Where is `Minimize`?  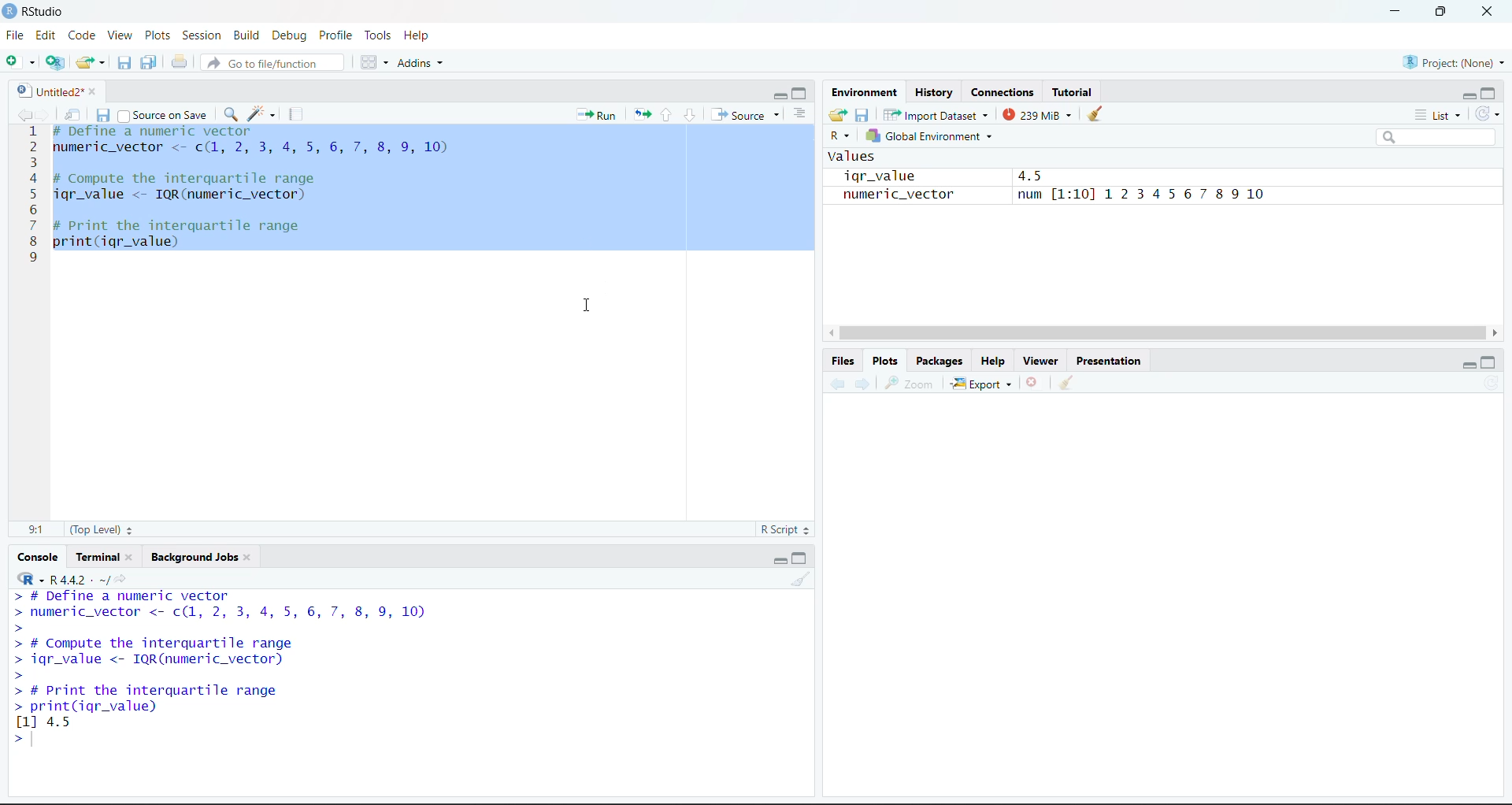
Minimize is located at coordinates (1468, 365).